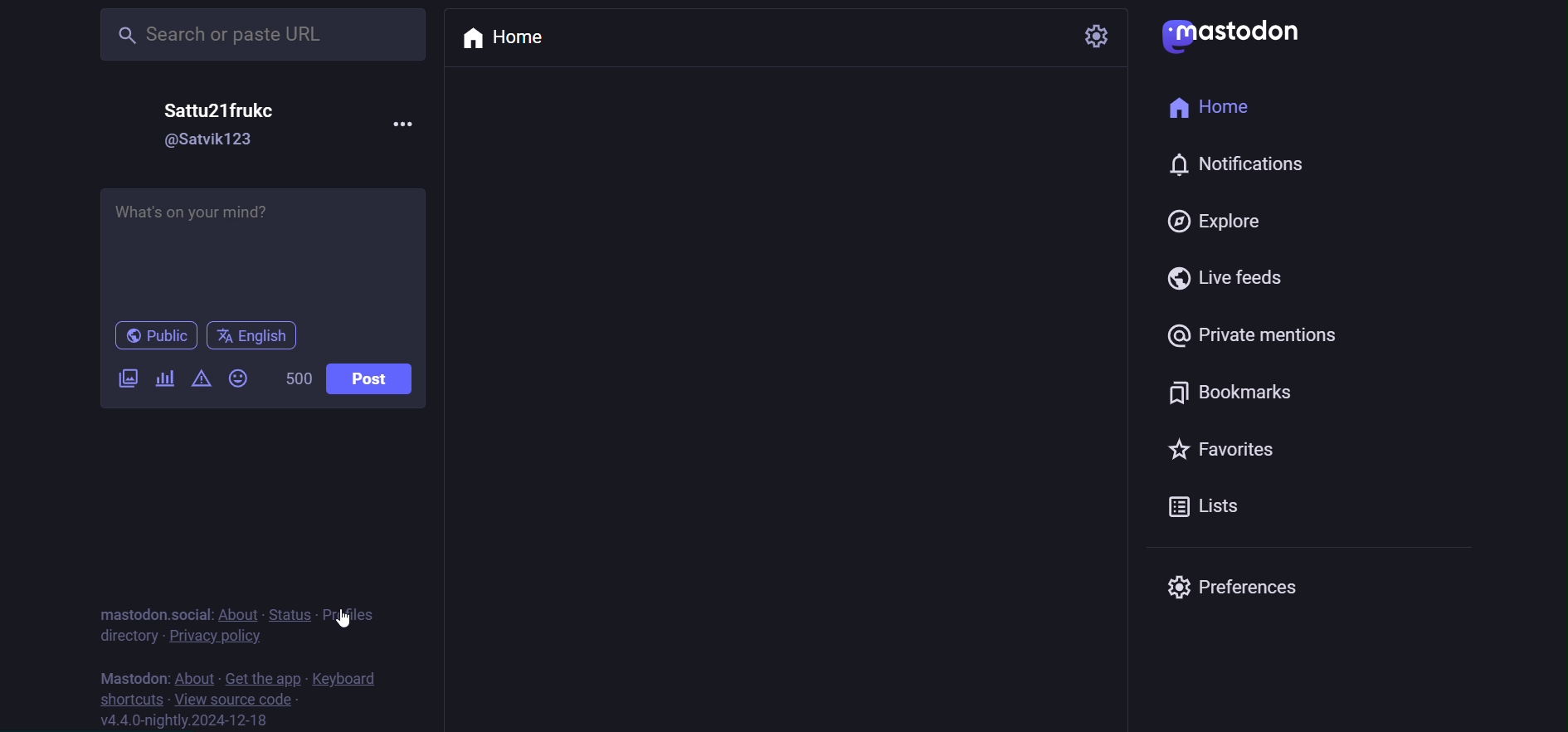  Describe the element at coordinates (129, 378) in the screenshot. I see `image/video` at that location.